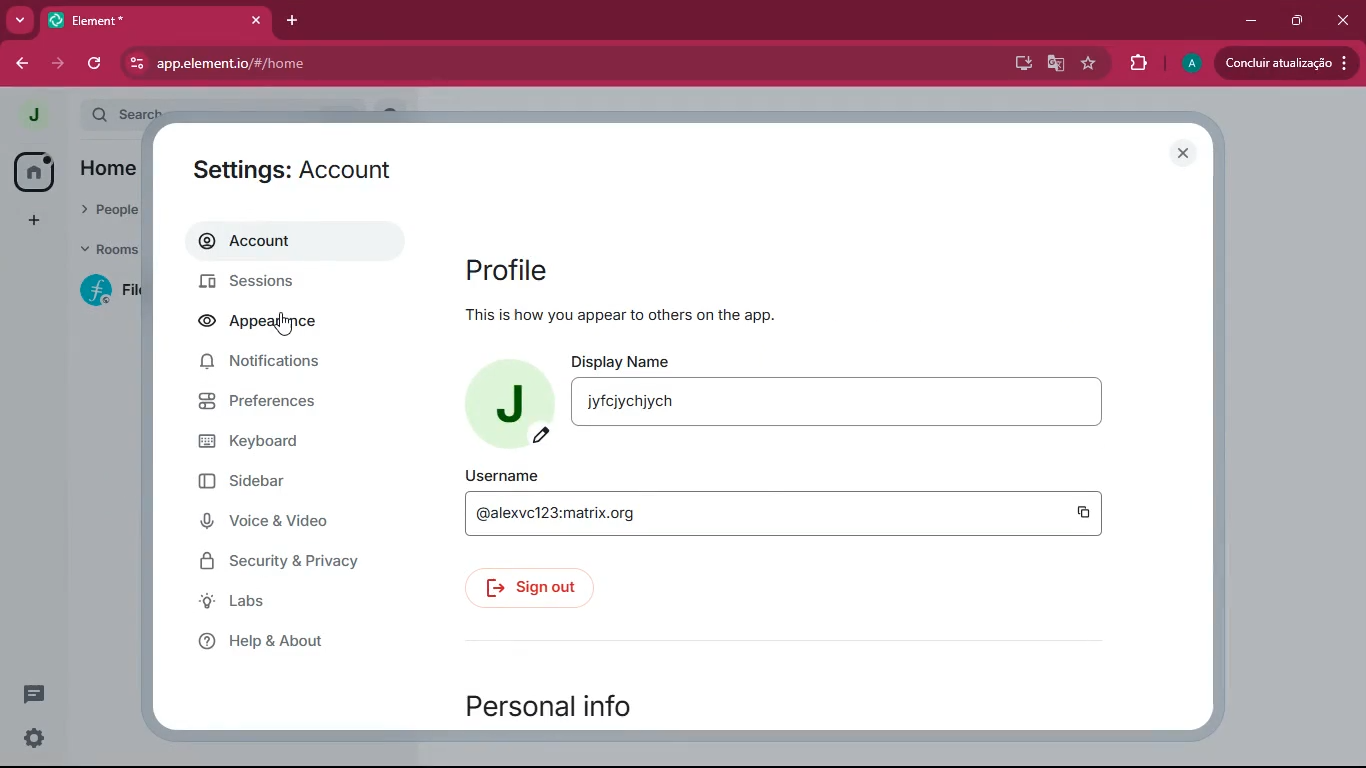  What do you see at coordinates (1088, 64) in the screenshot?
I see `favourite ` at bounding box center [1088, 64].